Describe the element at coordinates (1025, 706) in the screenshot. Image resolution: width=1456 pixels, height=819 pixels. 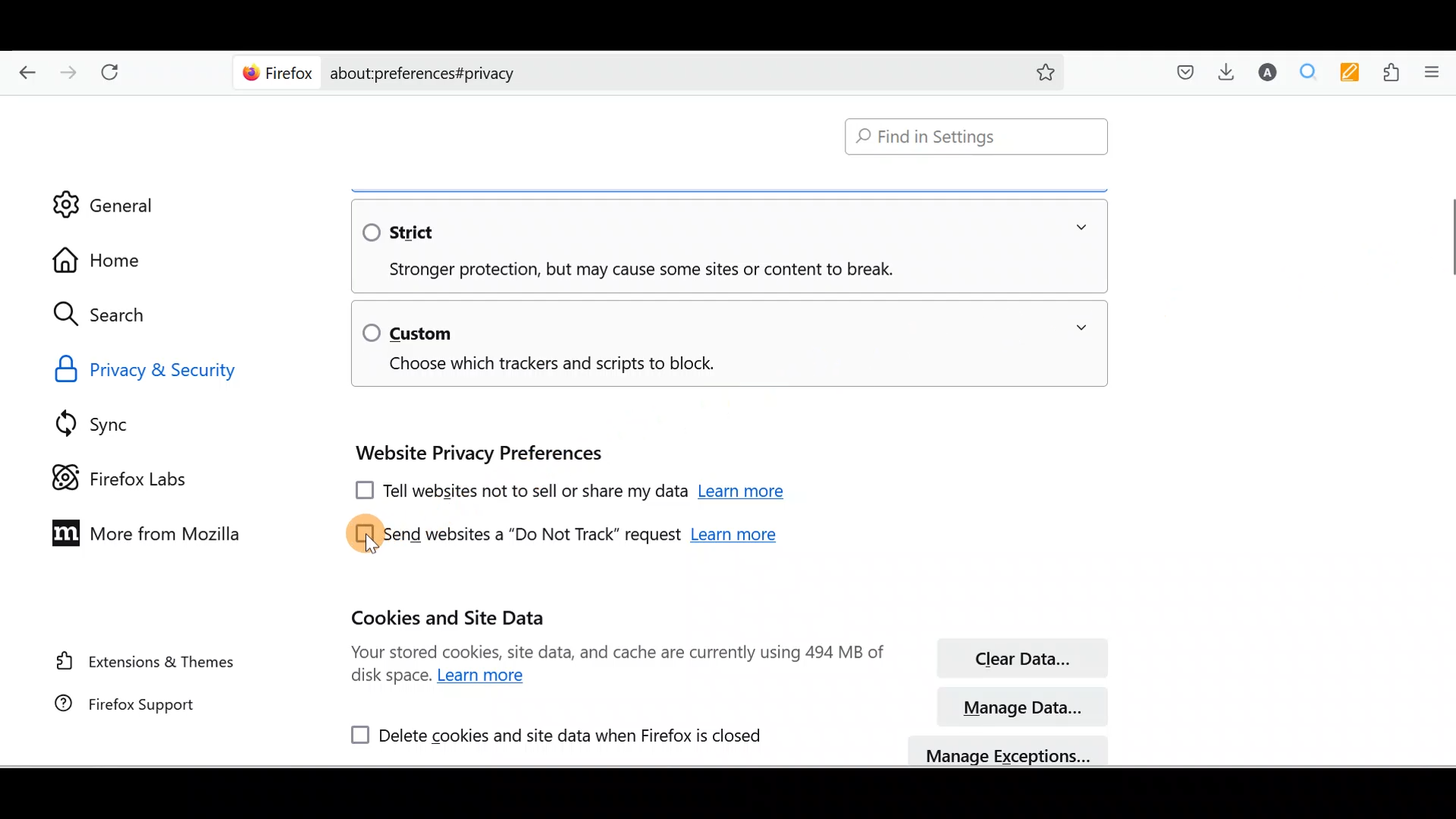
I see `Manage data` at that location.